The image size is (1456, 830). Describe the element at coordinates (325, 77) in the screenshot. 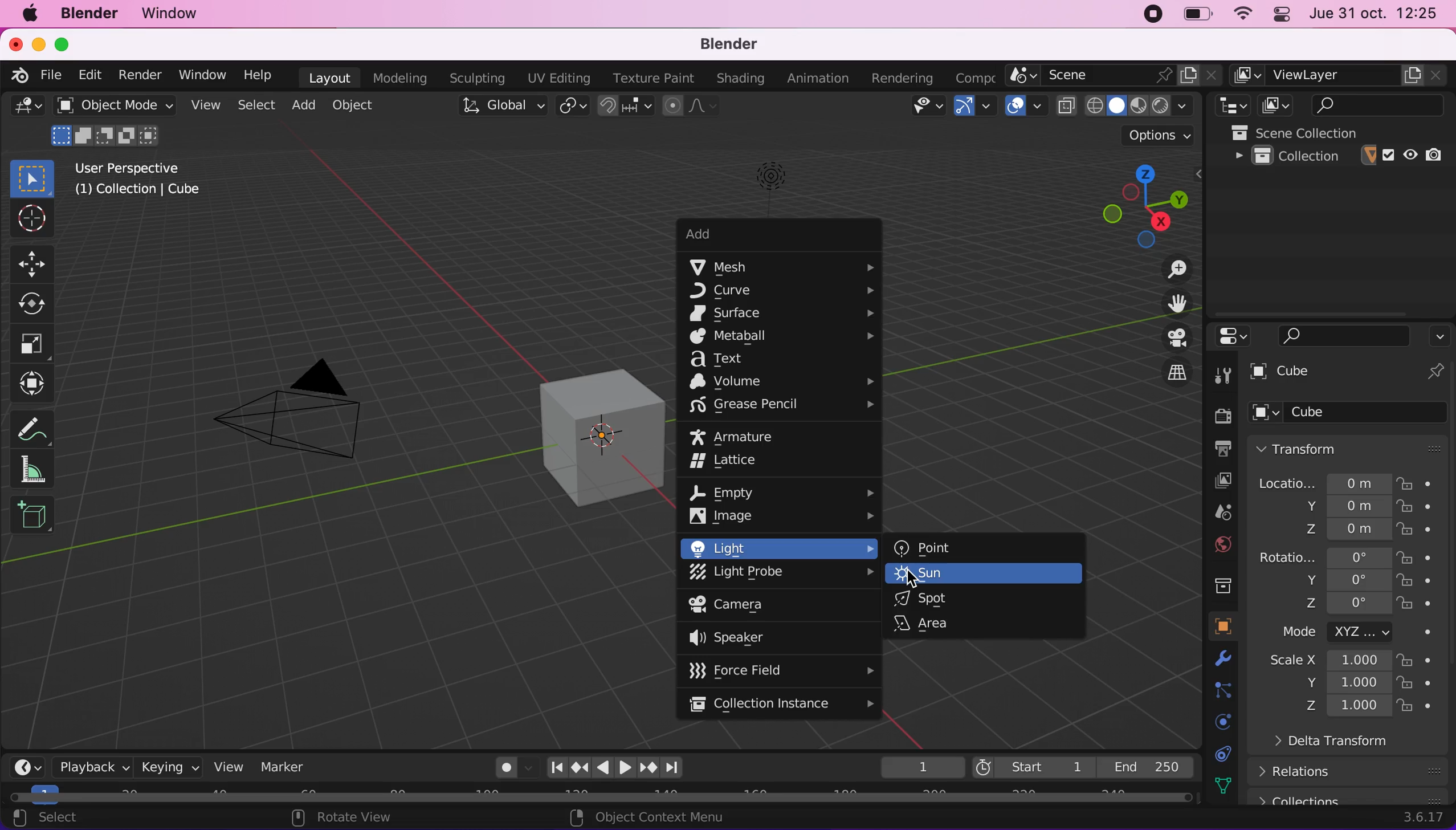

I see `layout` at that location.